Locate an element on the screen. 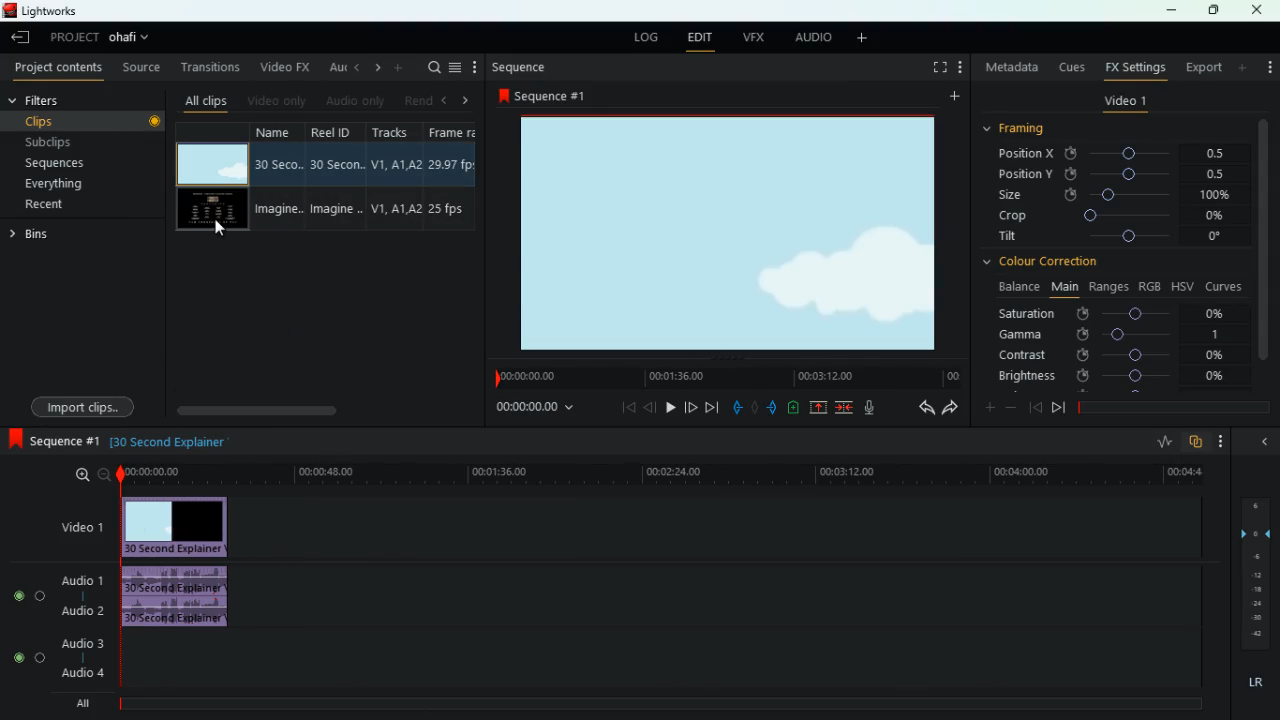 The height and width of the screenshot is (720, 1280). subclips is located at coordinates (82, 141).